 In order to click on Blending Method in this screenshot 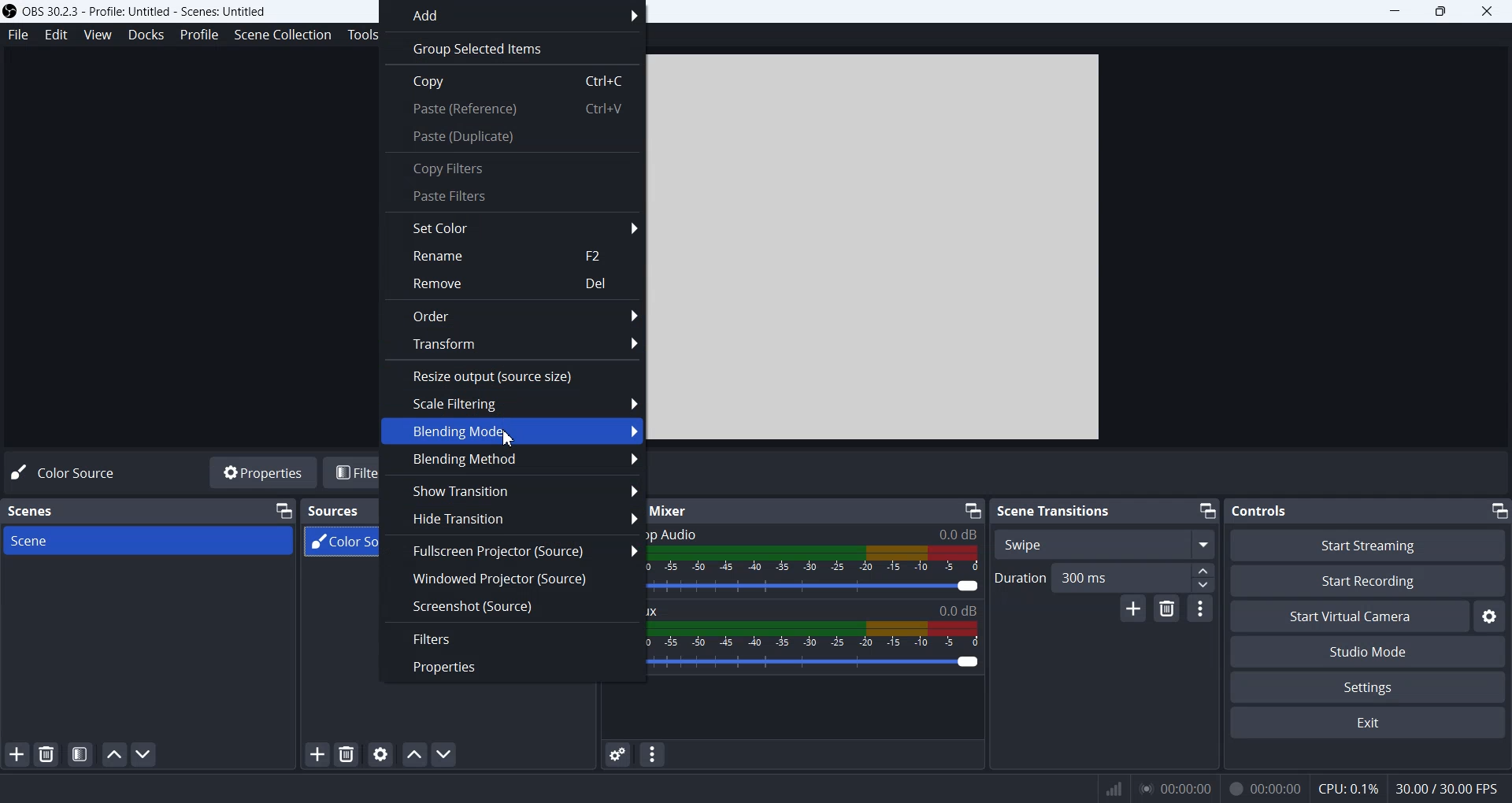, I will do `click(512, 461)`.